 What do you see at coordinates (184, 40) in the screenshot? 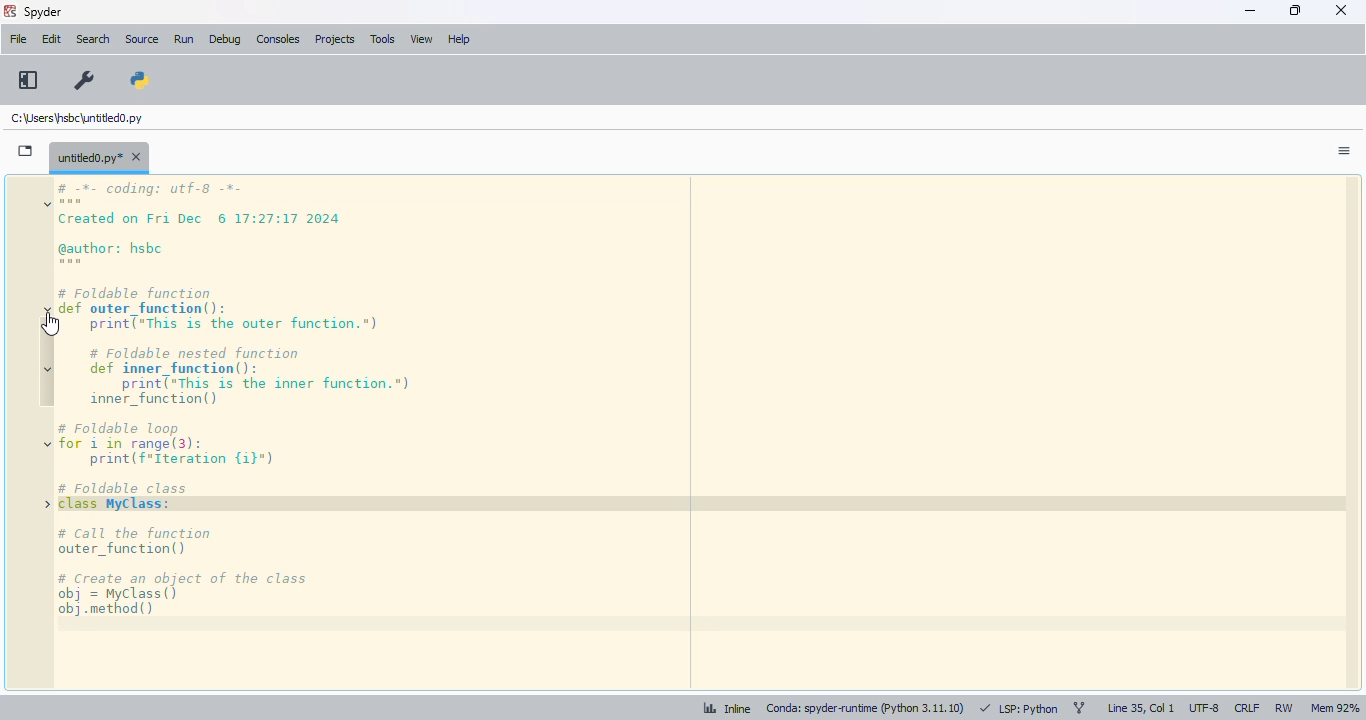
I see `run` at bounding box center [184, 40].